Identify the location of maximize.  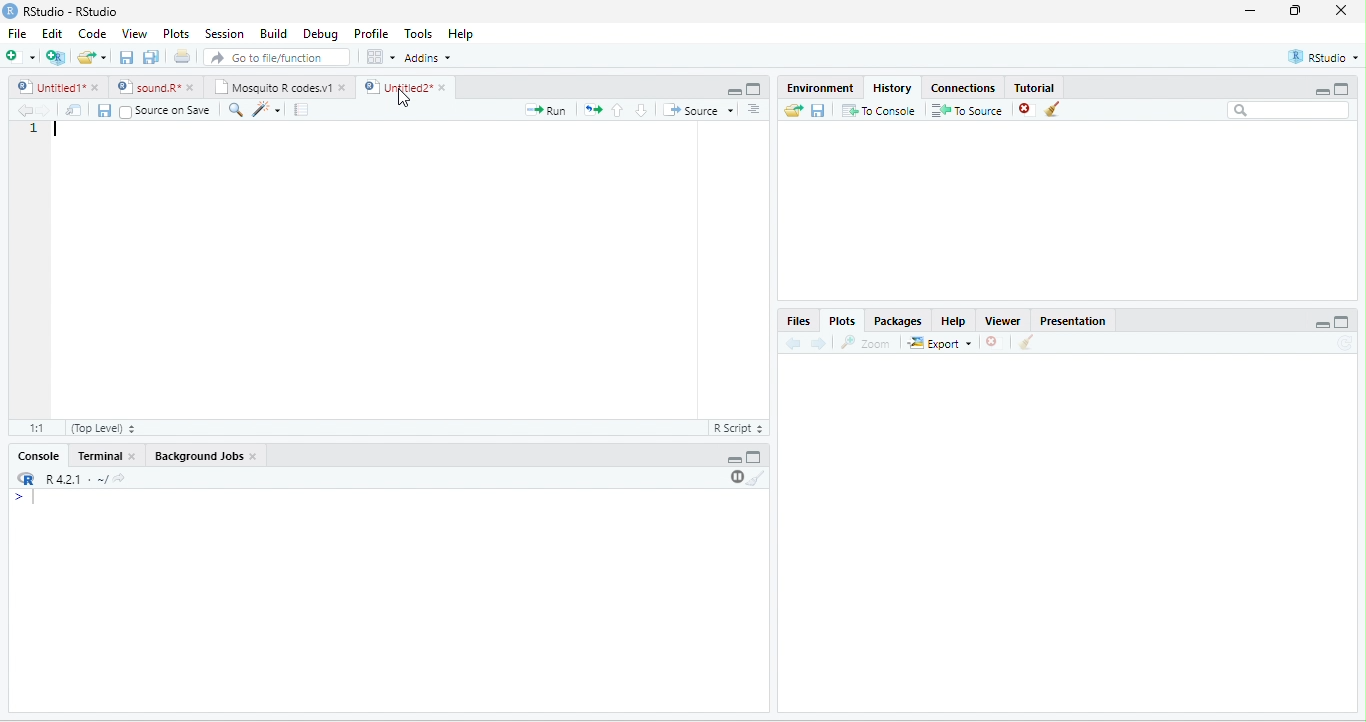
(1342, 88).